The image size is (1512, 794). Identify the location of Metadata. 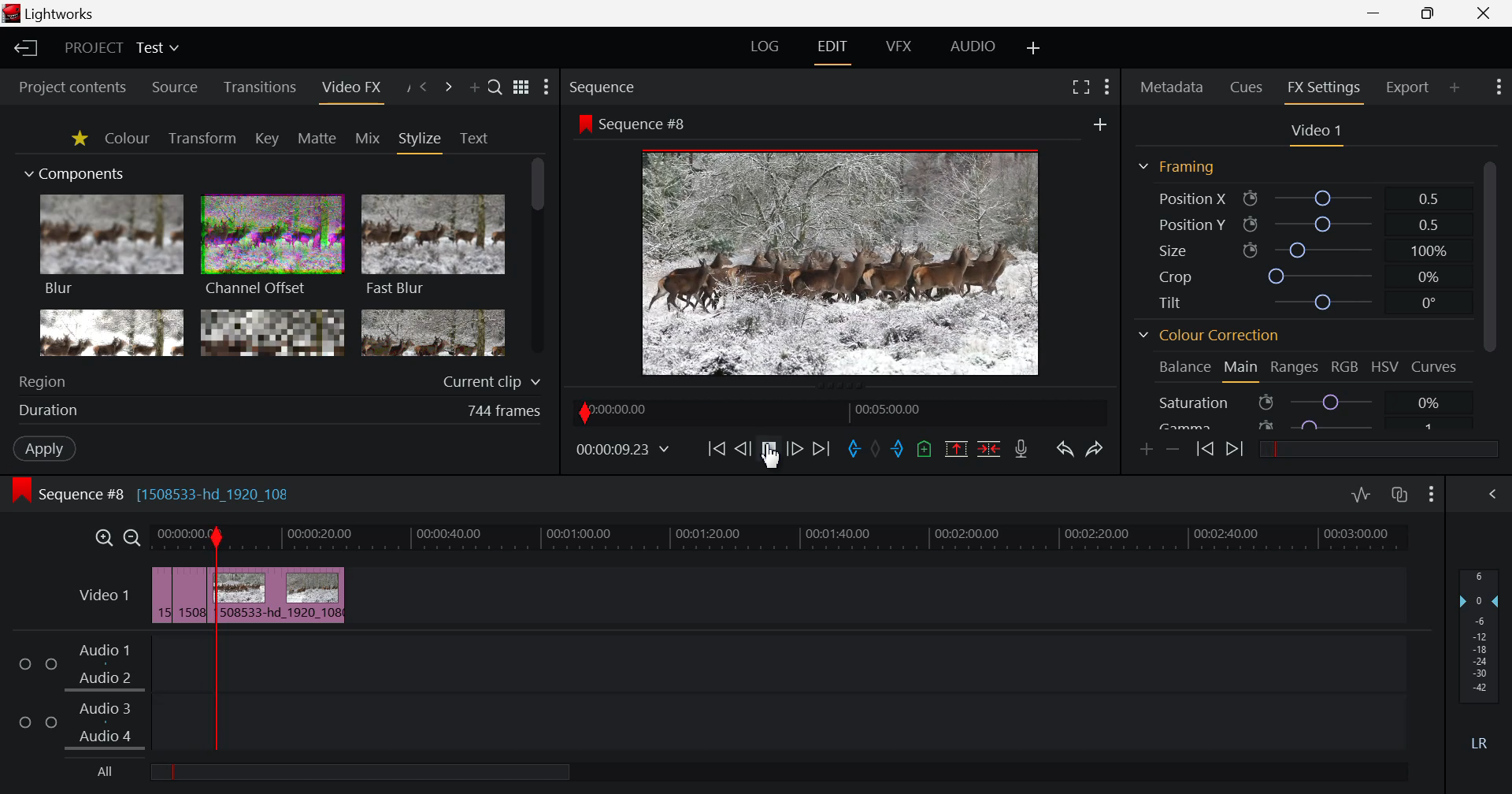
(1170, 88).